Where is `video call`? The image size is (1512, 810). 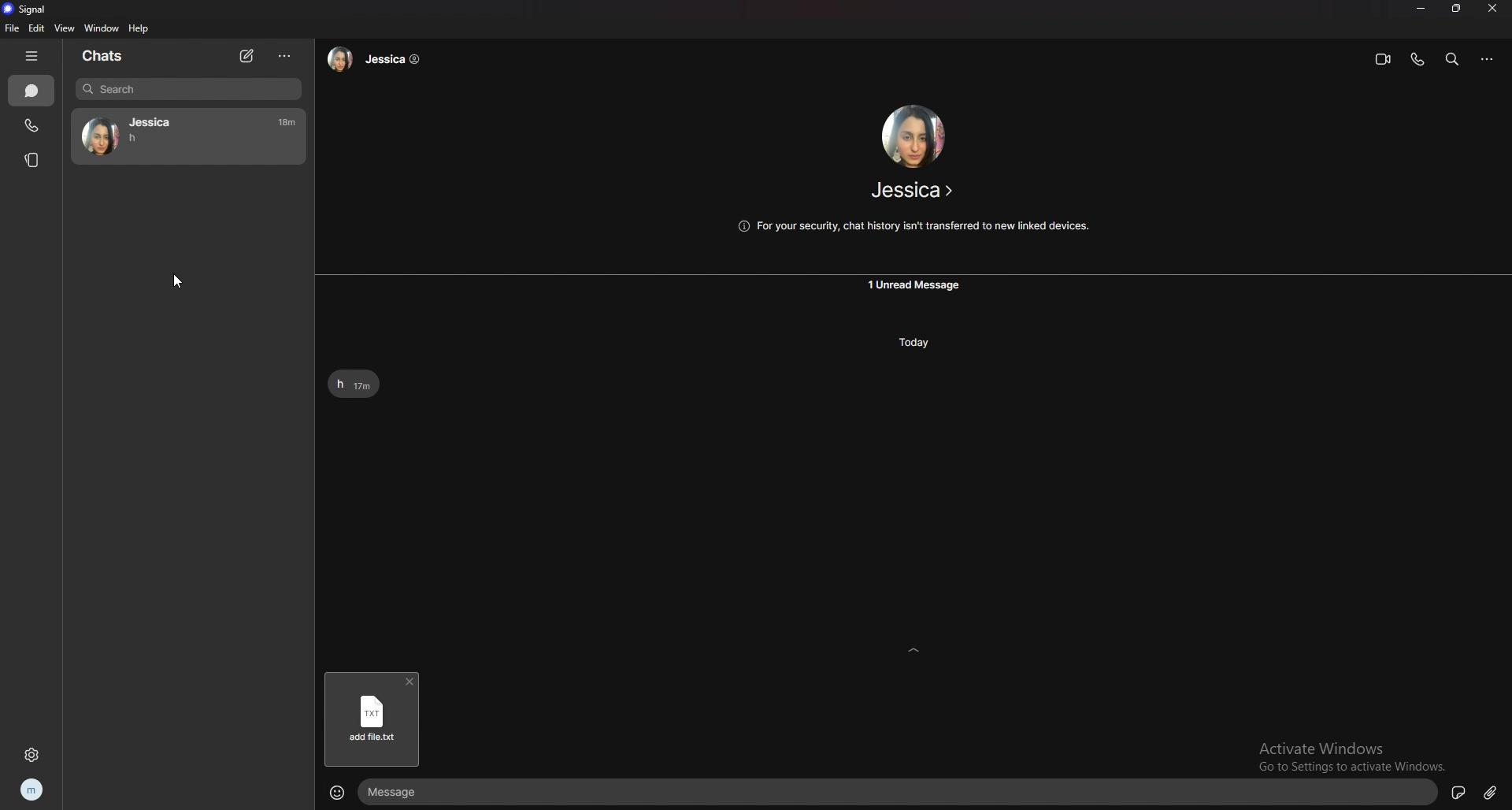
video call is located at coordinates (1384, 60).